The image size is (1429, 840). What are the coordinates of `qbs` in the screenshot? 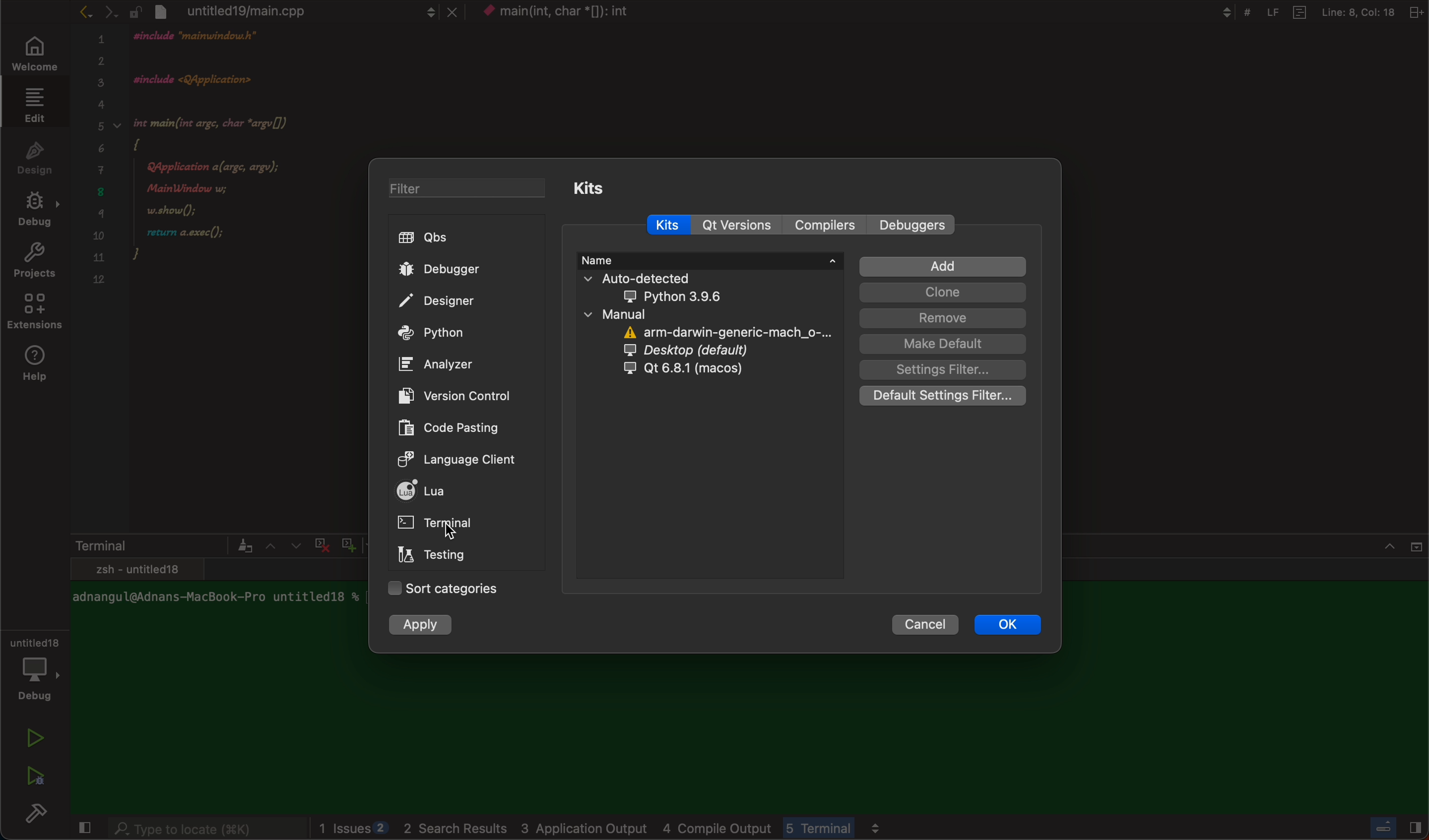 It's located at (461, 238).